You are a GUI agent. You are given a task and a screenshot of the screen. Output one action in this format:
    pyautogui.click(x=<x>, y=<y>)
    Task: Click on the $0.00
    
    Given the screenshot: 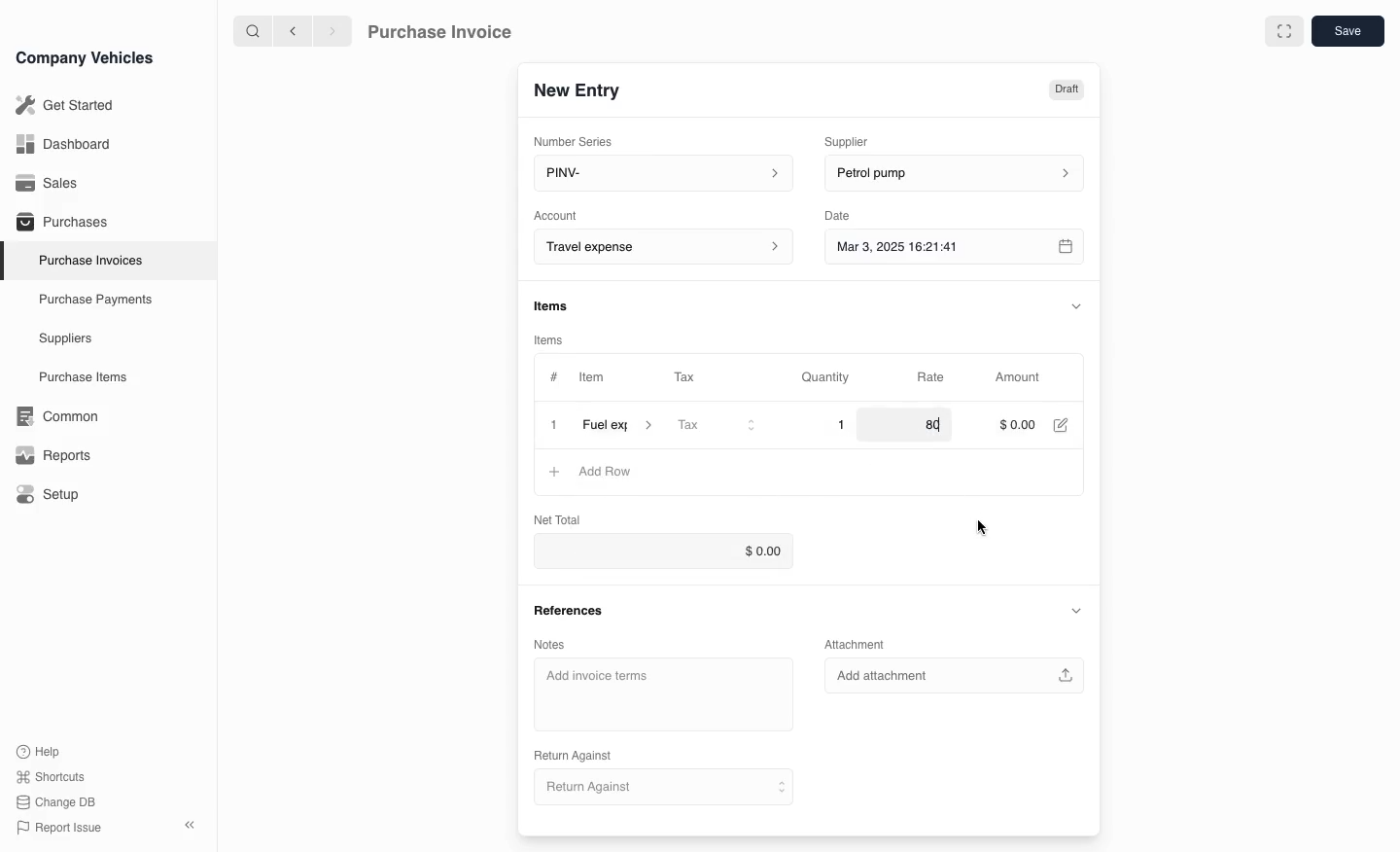 What is the action you would take?
    pyautogui.click(x=674, y=552)
    